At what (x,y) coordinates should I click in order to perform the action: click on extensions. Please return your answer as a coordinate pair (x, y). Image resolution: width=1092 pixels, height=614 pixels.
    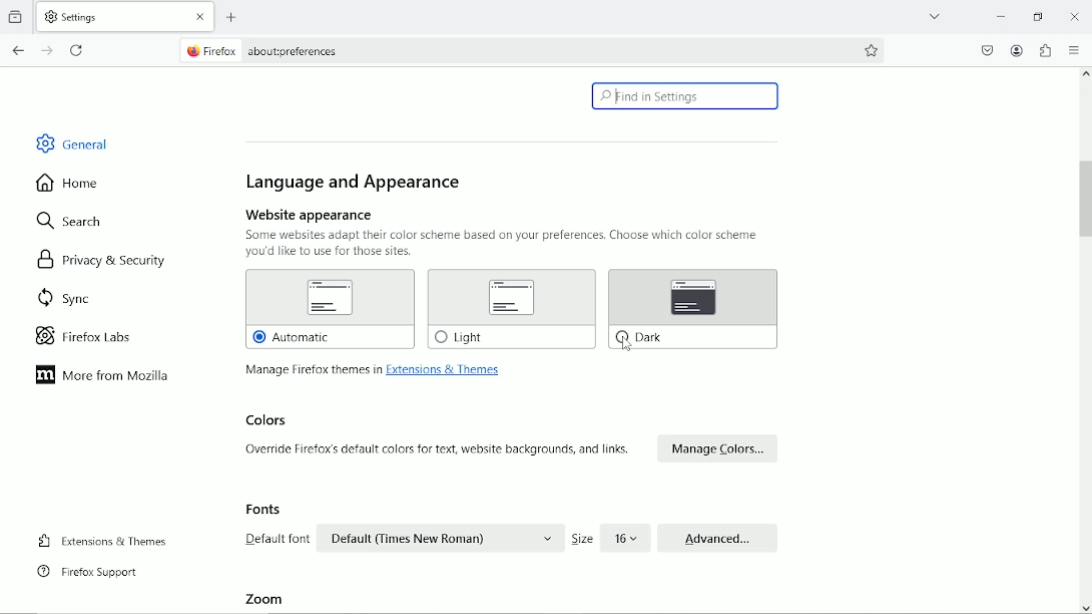
    Looking at the image, I should click on (1045, 51).